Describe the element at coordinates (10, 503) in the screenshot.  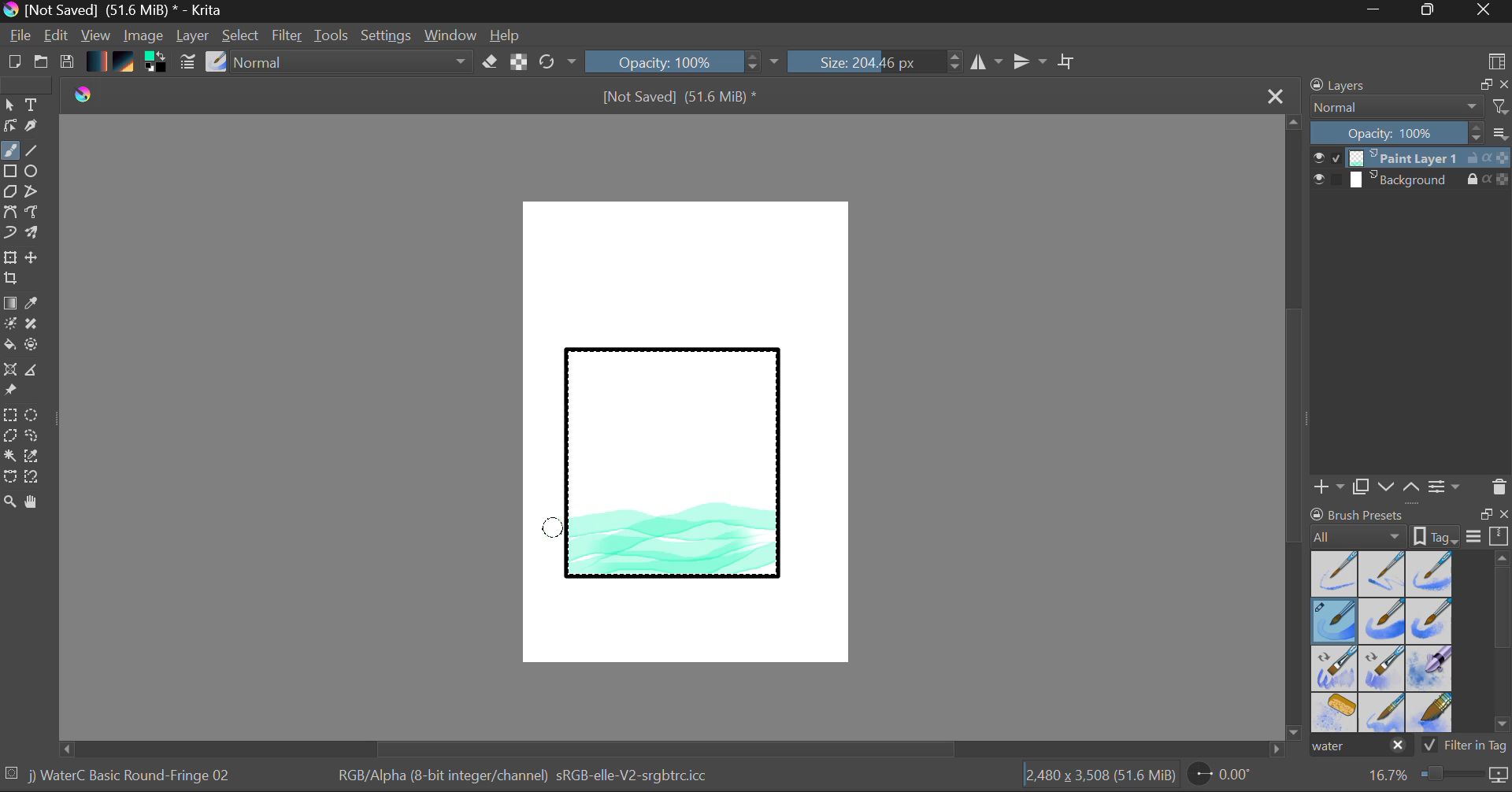
I see `Zoom` at that location.